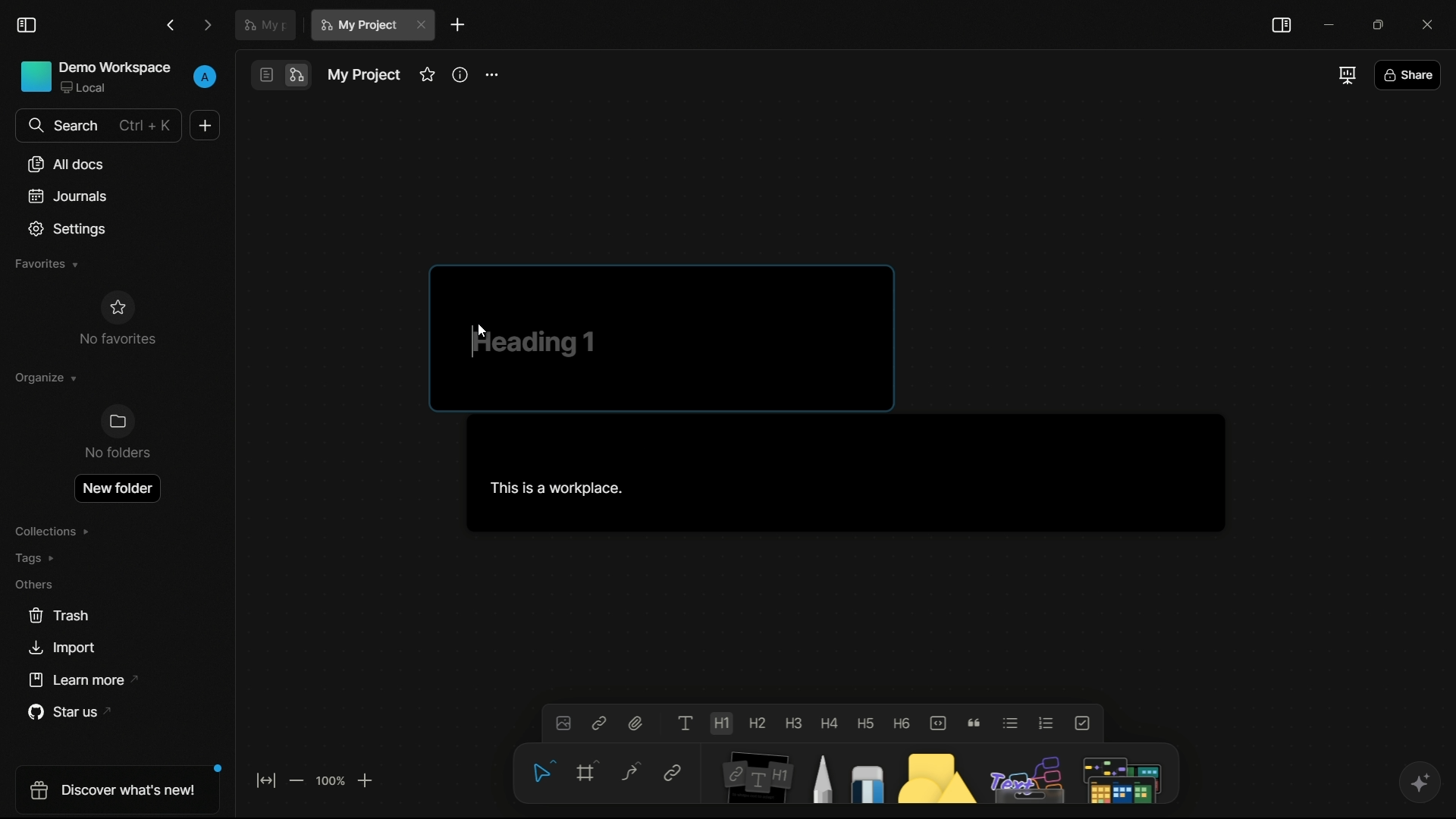 This screenshot has height=819, width=1456. I want to click on heading 6, so click(904, 720).